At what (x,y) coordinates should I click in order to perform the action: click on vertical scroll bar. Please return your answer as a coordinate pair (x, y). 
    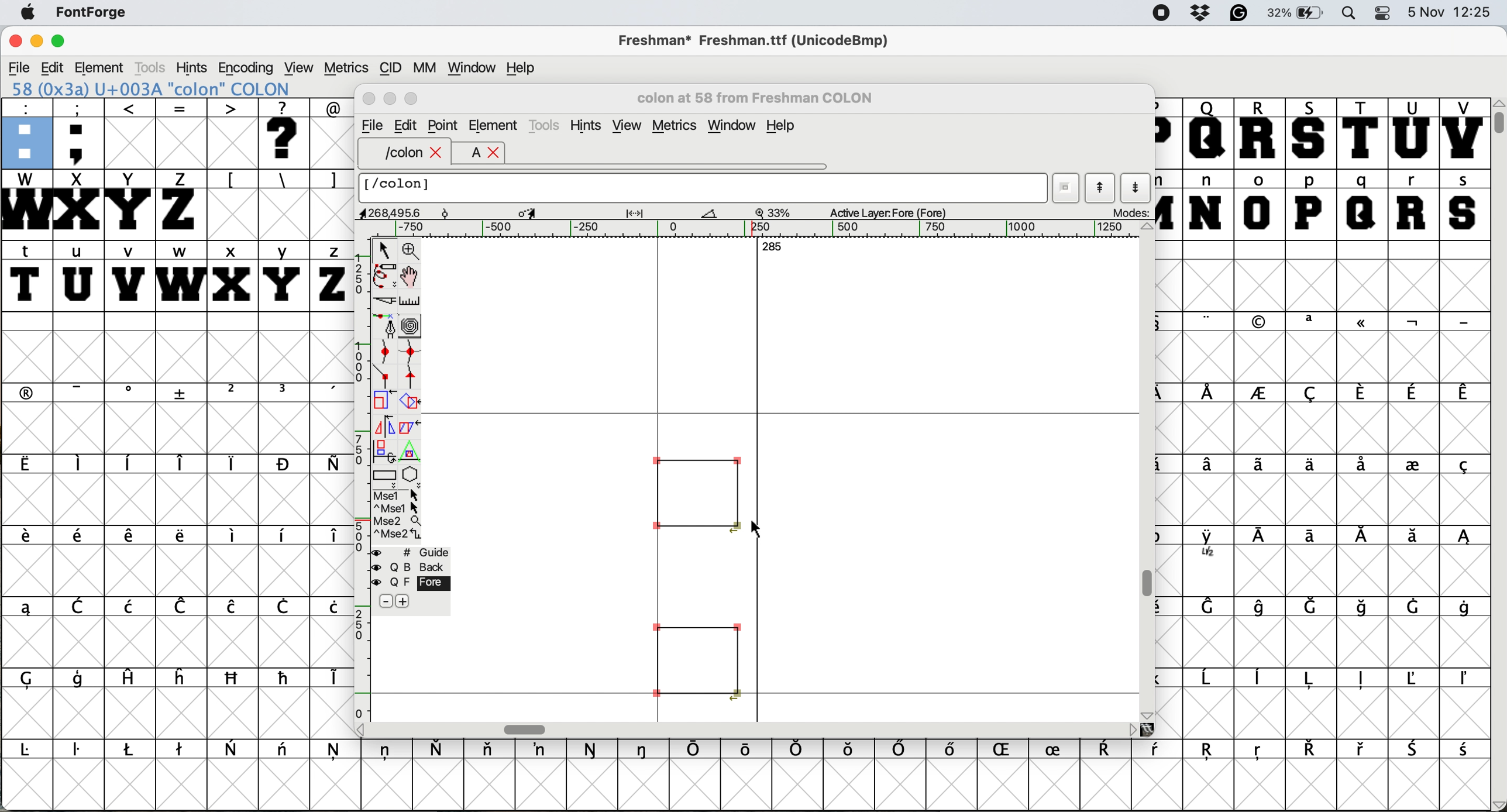
    Looking at the image, I should click on (1498, 455).